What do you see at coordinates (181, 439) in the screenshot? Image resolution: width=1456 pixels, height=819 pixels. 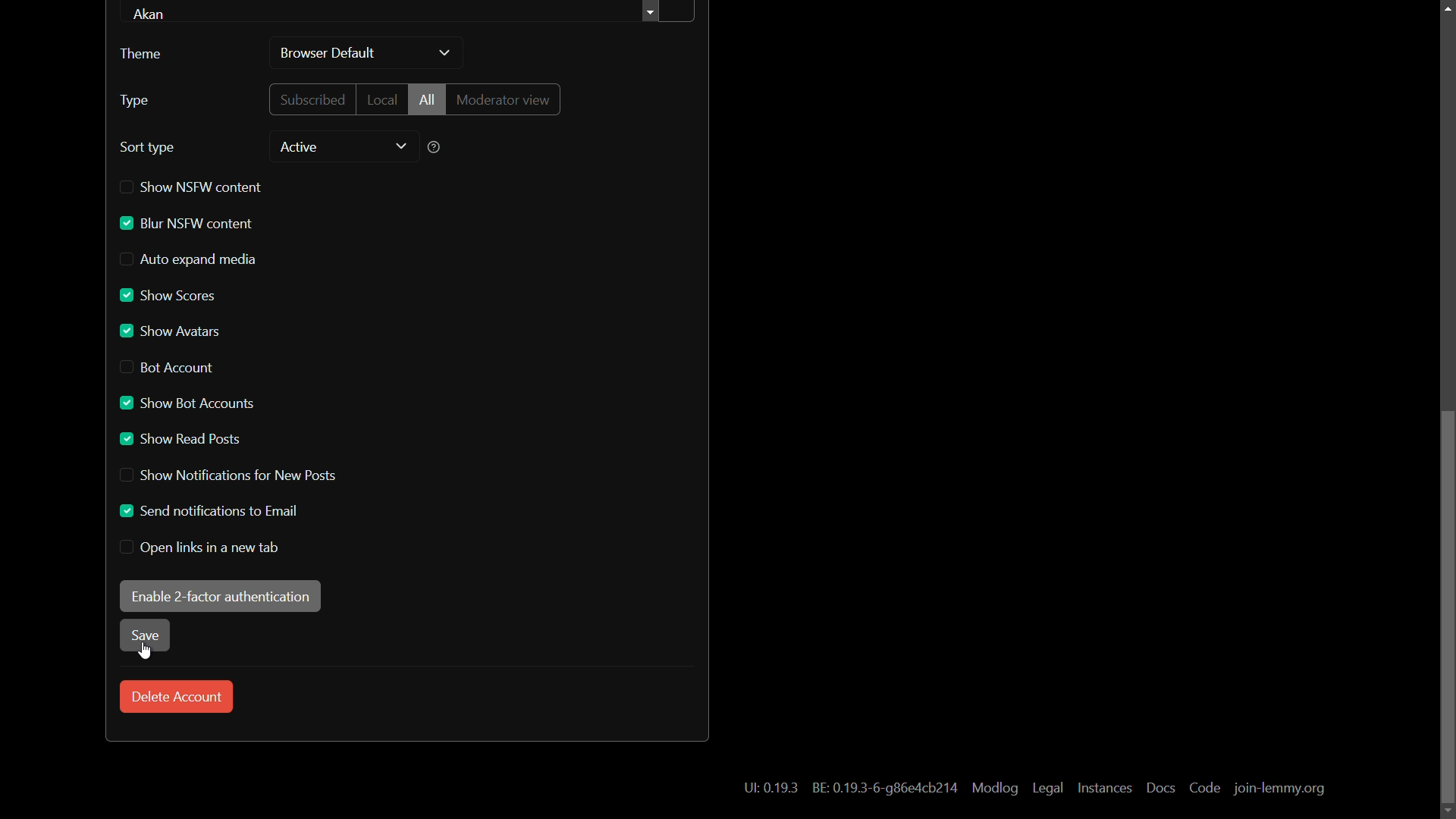 I see `show read posts` at bounding box center [181, 439].